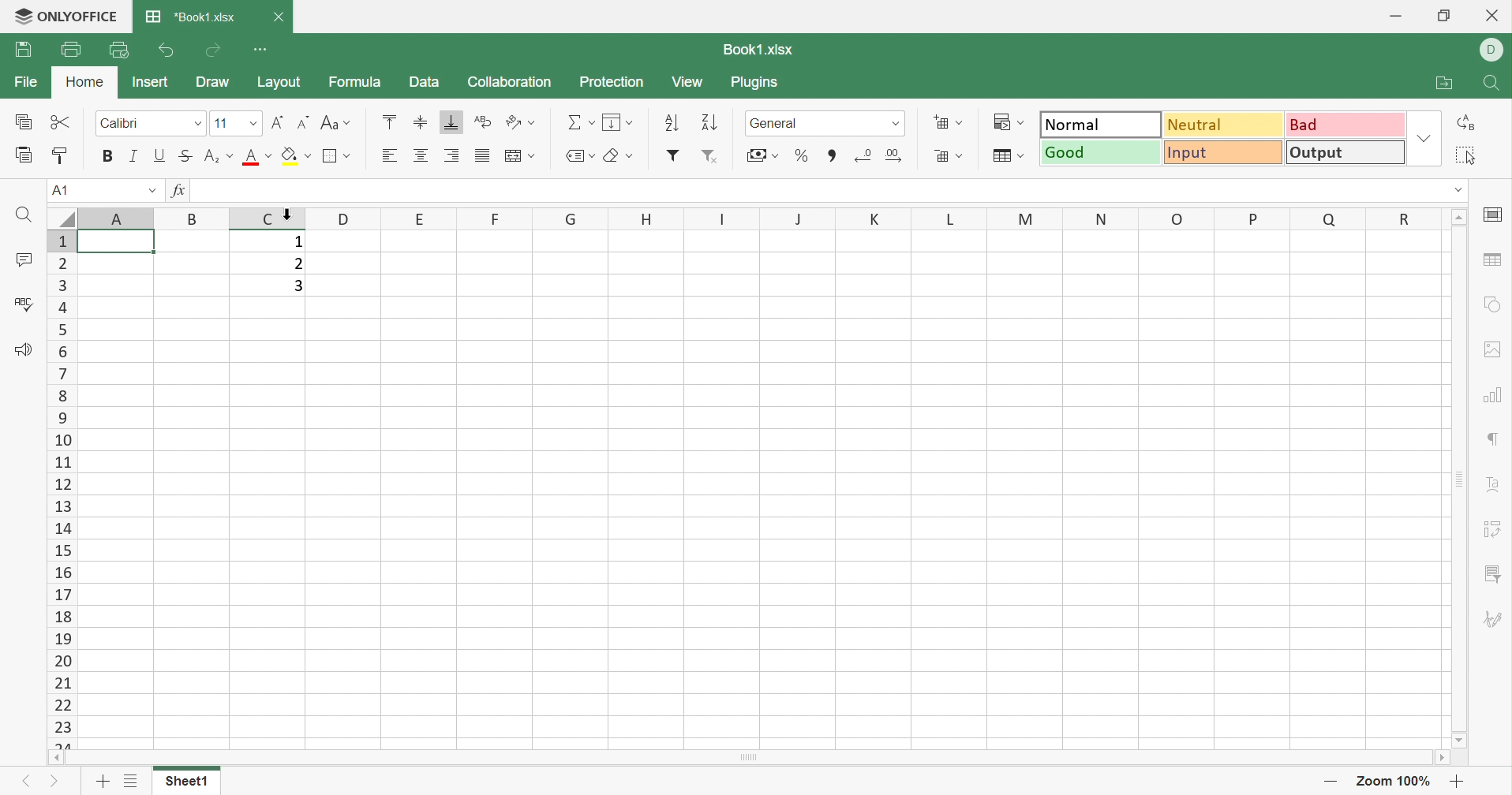 The width and height of the screenshot is (1512, 795). I want to click on Neutral, so click(1225, 126).